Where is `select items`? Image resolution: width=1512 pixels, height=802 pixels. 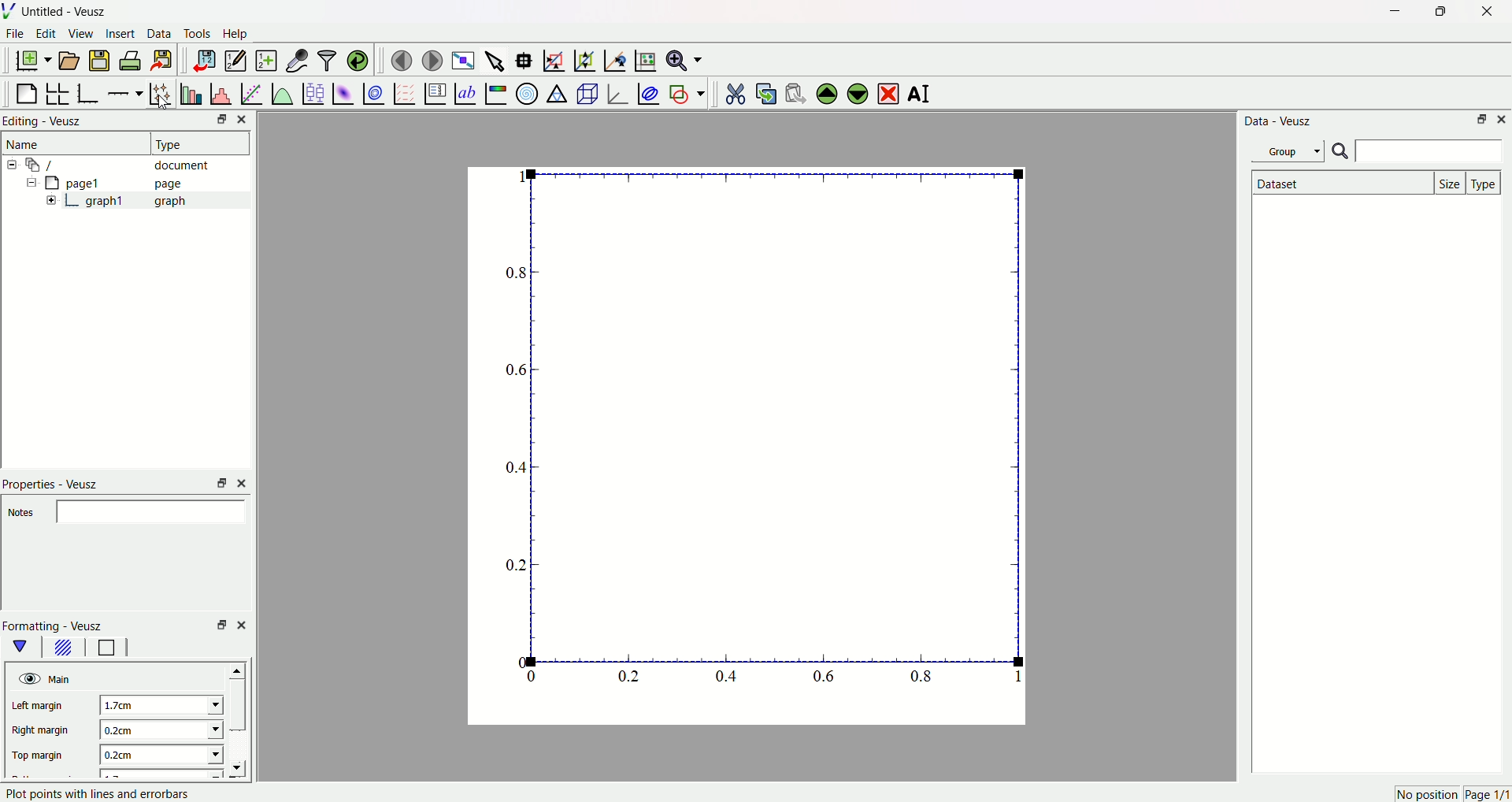
select items is located at coordinates (496, 58).